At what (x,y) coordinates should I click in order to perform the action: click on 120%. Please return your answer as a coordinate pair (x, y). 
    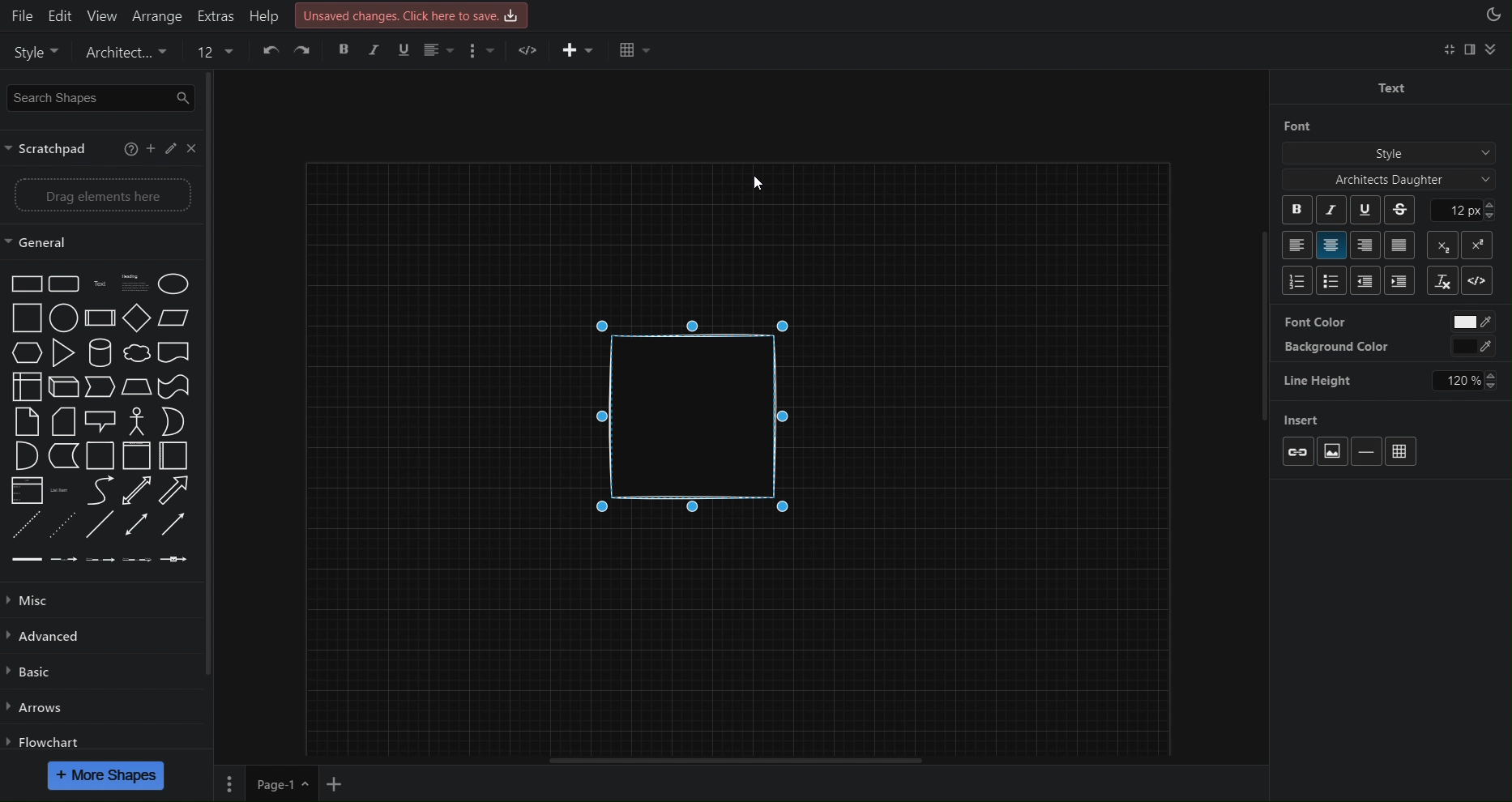
    Looking at the image, I should click on (1464, 380).